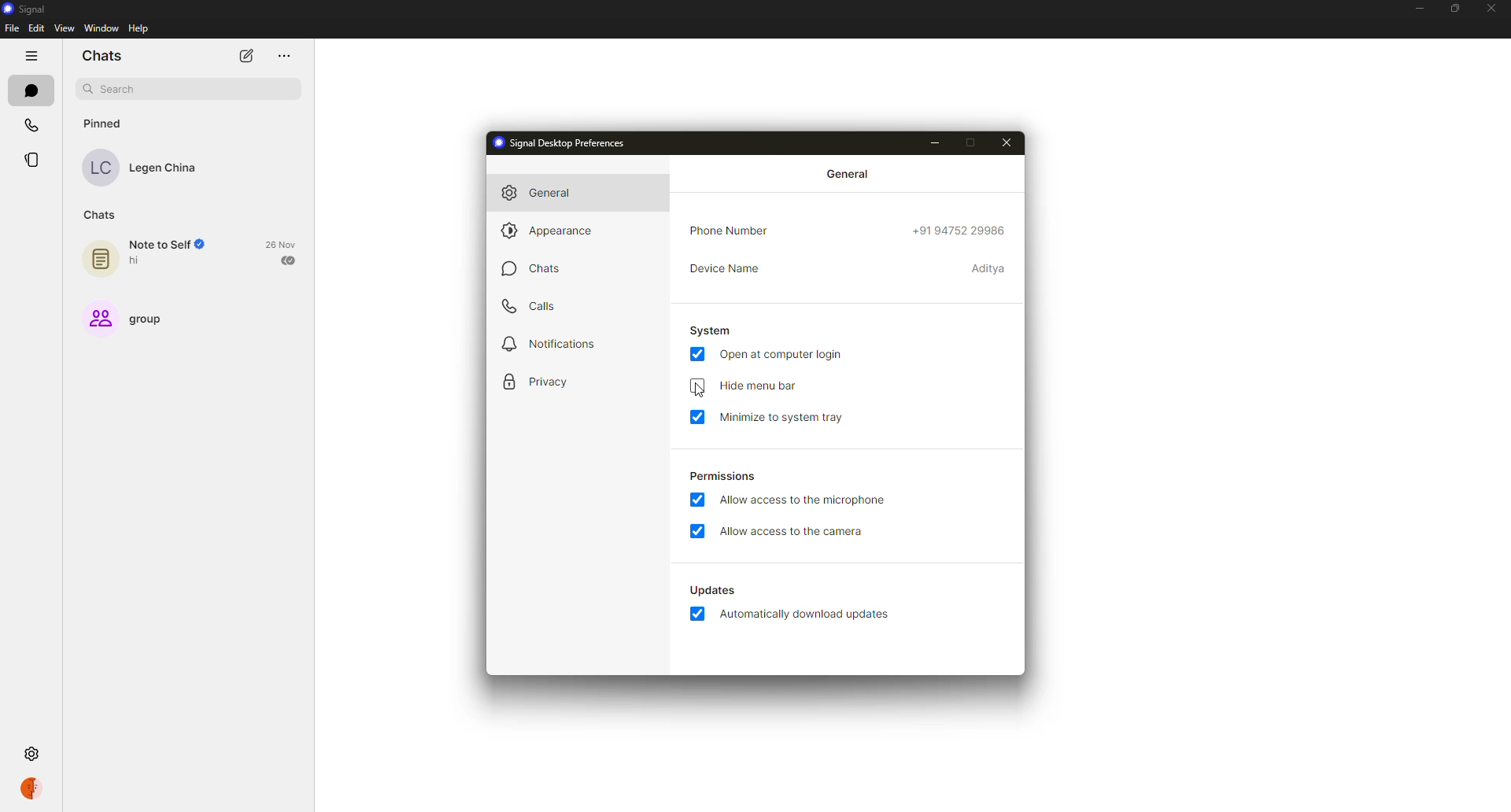 The image size is (1511, 812). I want to click on appearance, so click(555, 230).